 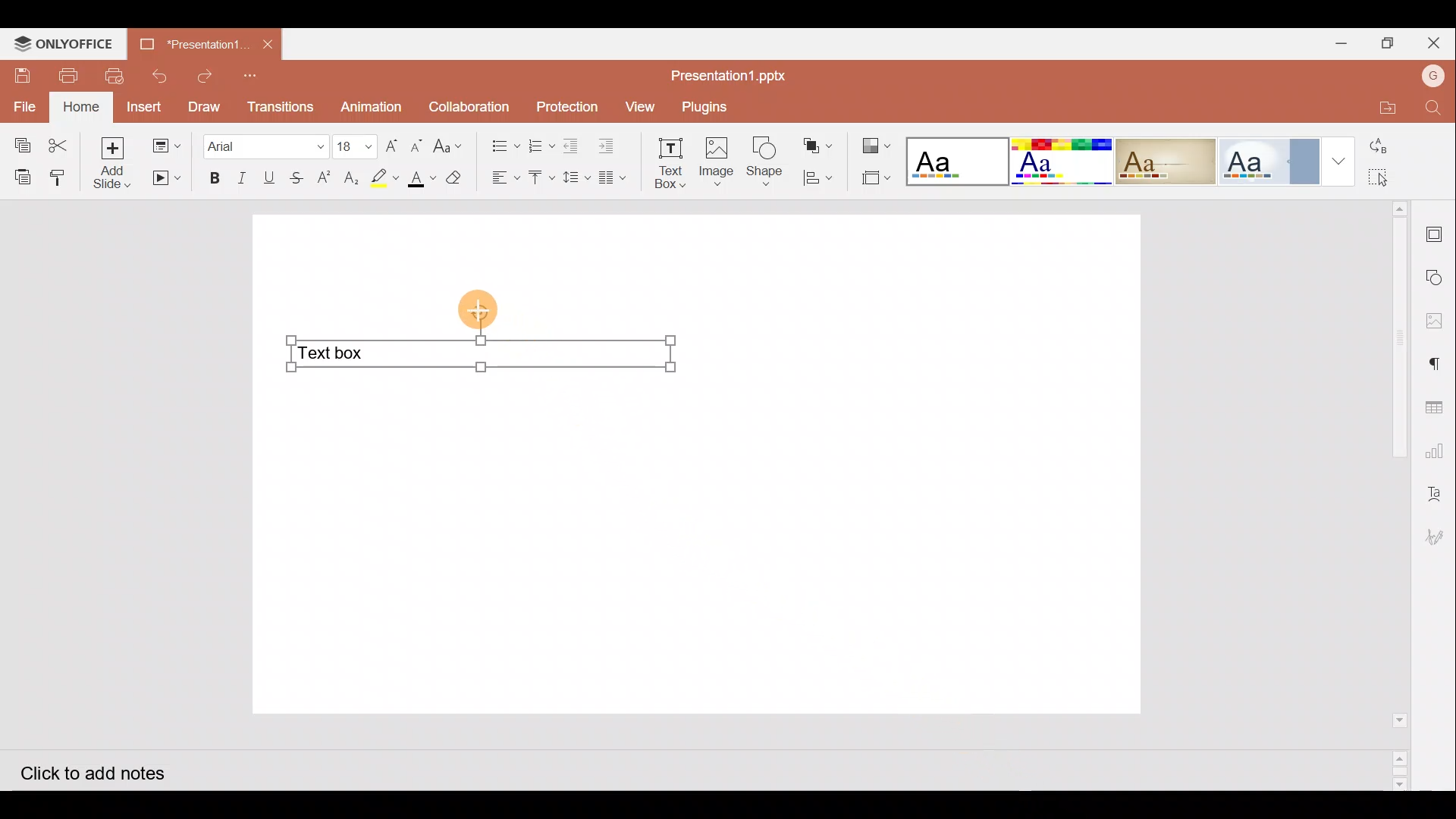 I want to click on Font name, so click(x=265, y=144).